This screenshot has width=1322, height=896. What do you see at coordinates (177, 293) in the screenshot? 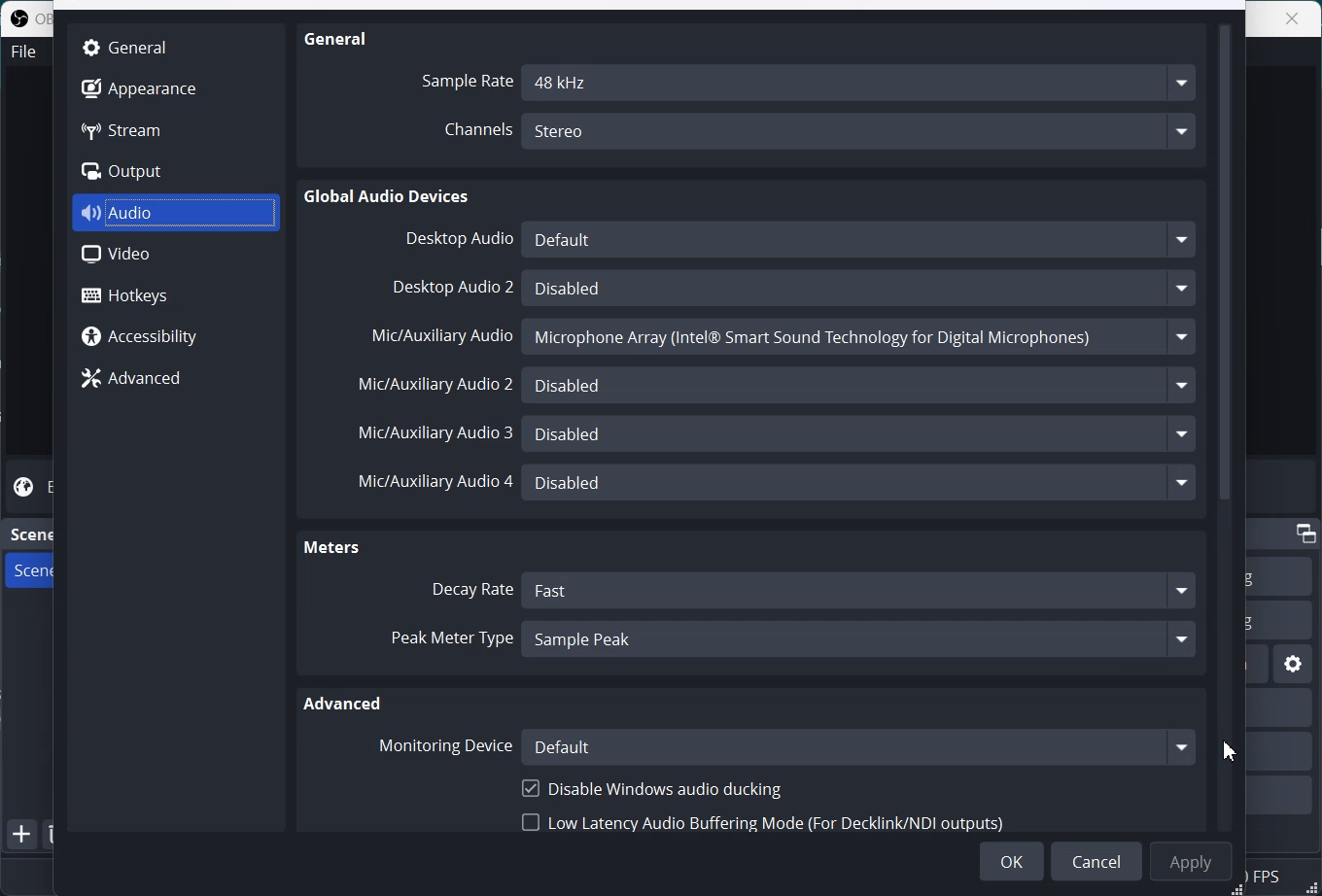
I see `Hotkeys` at bounding box center [177, 293].